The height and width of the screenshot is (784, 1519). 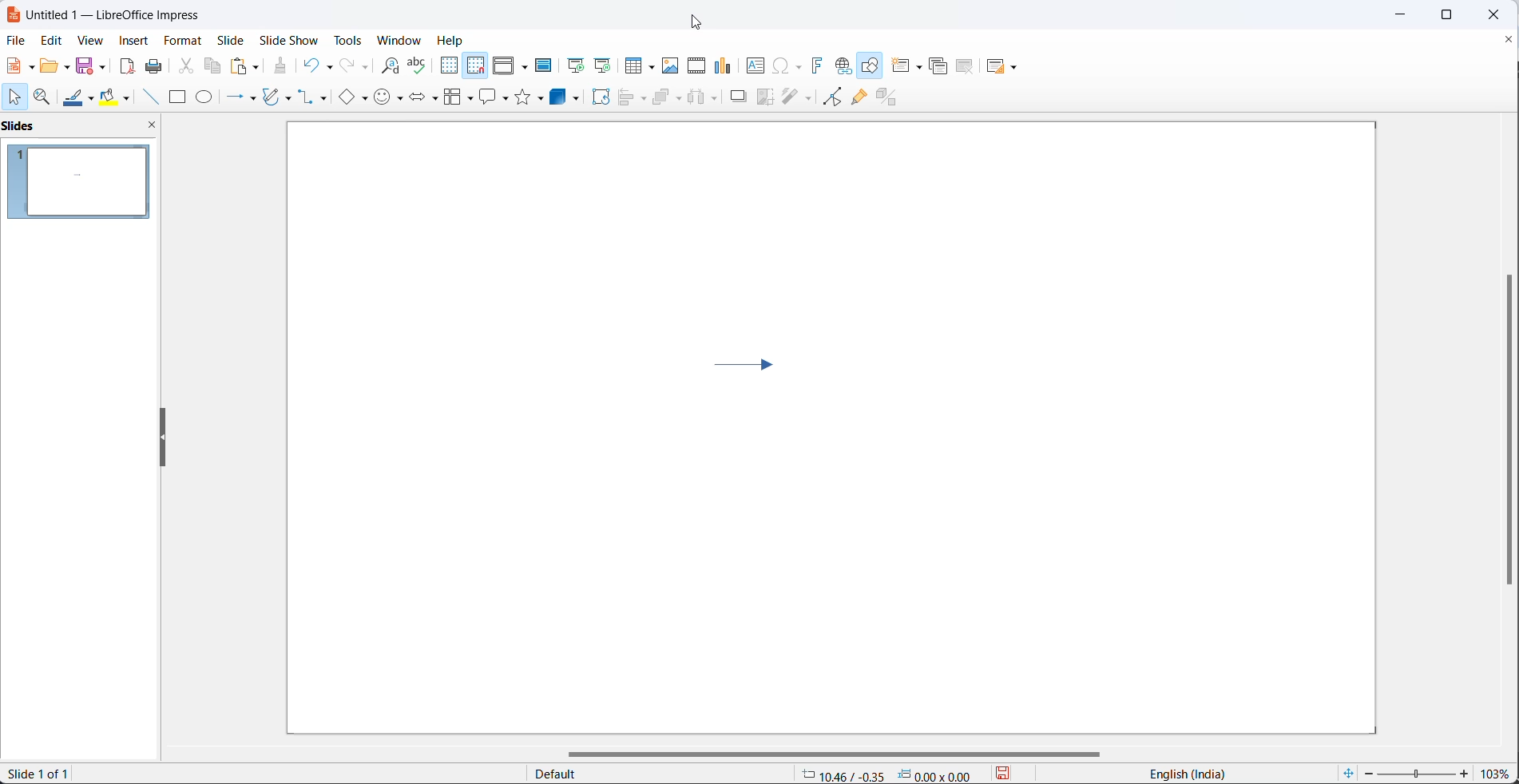 I want to click on insert audio and video, so click(x=696, y=66).